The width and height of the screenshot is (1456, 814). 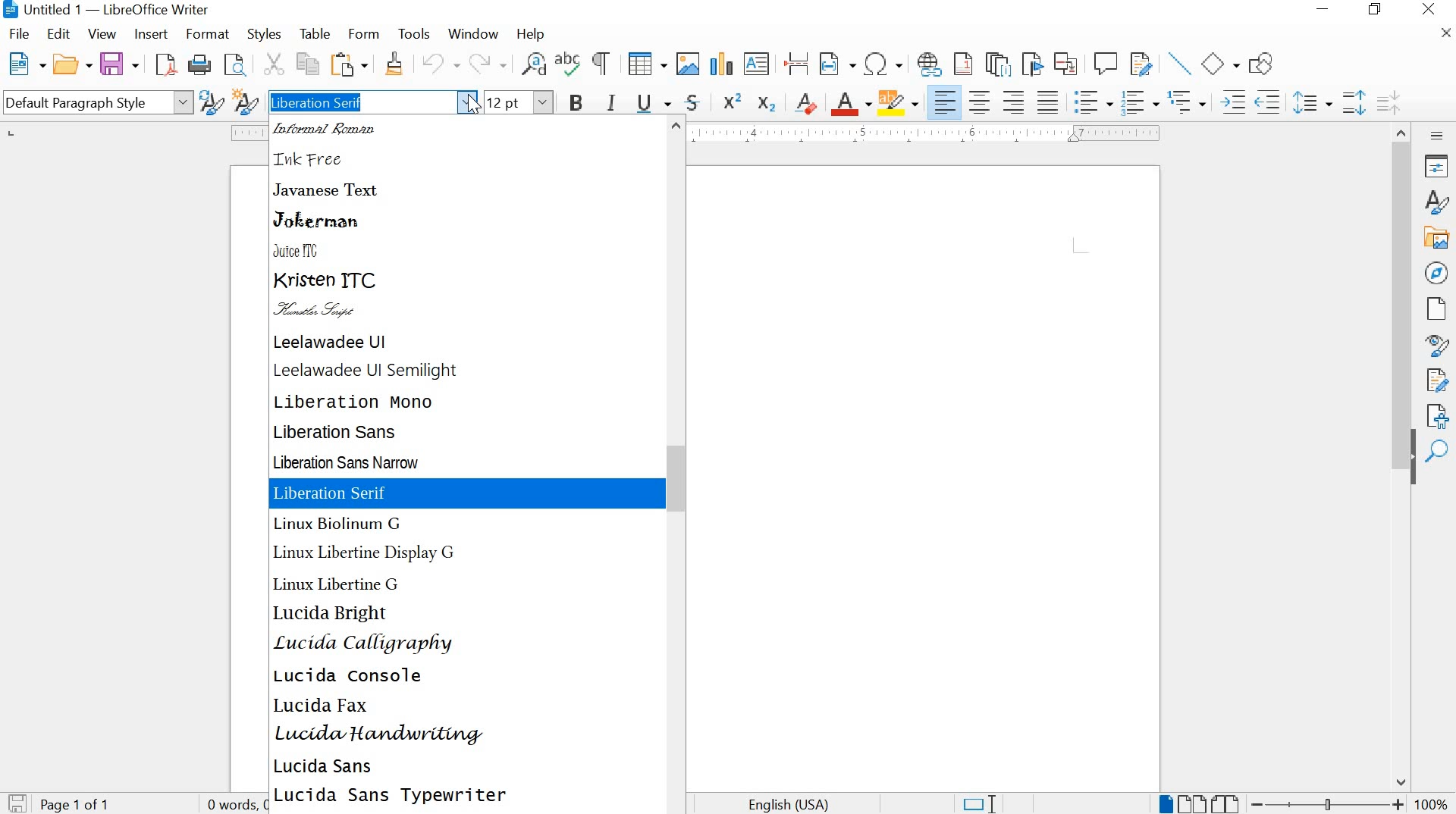 What do you see at coordinates (378, 737) in the screenshot?
I see `LUCIDA HANDQRITING` at bounding box center [378, 737].